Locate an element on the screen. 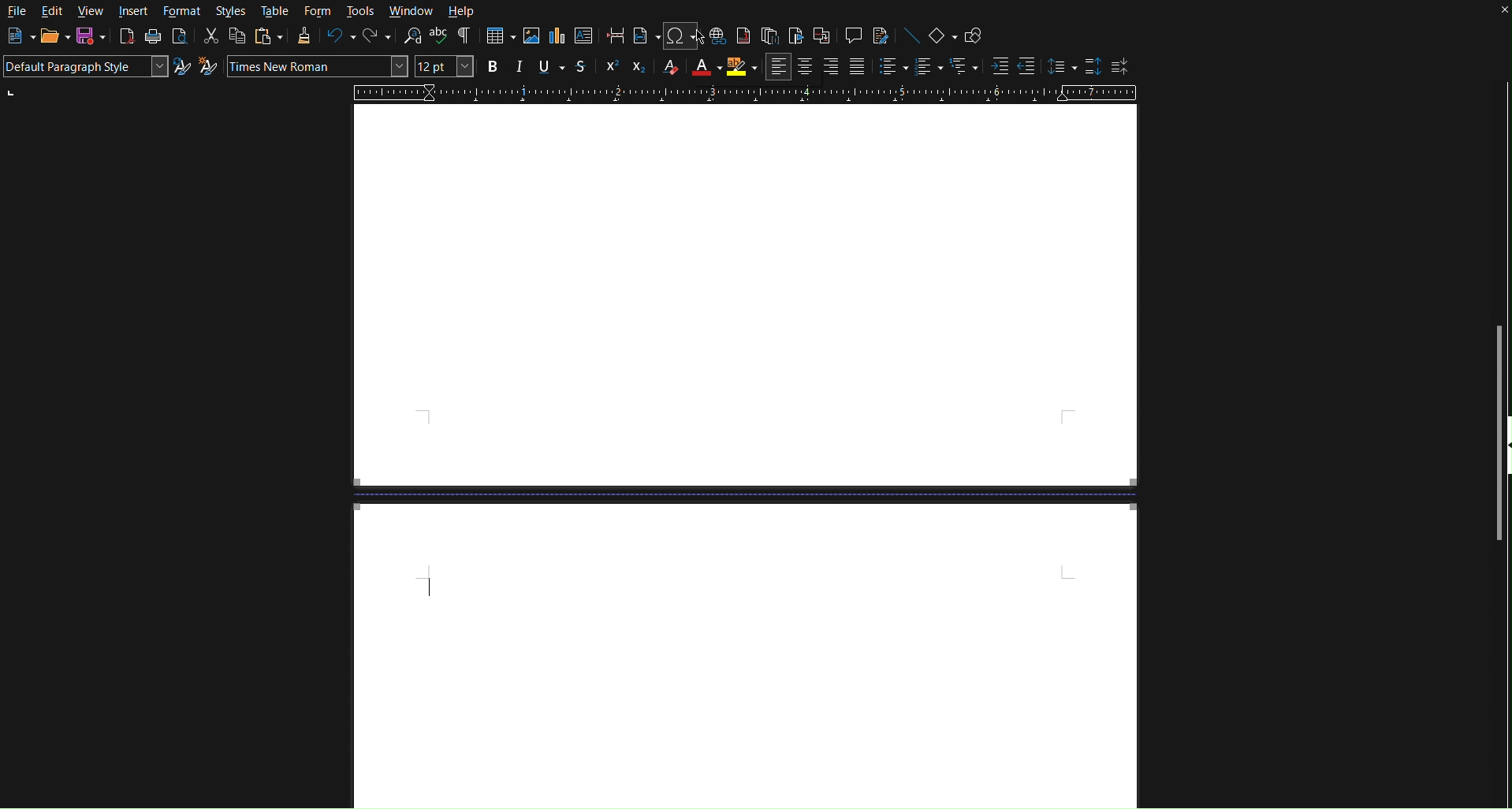 This screenshot has height=809, width=1512. Format is located at coordinates (180, 11).